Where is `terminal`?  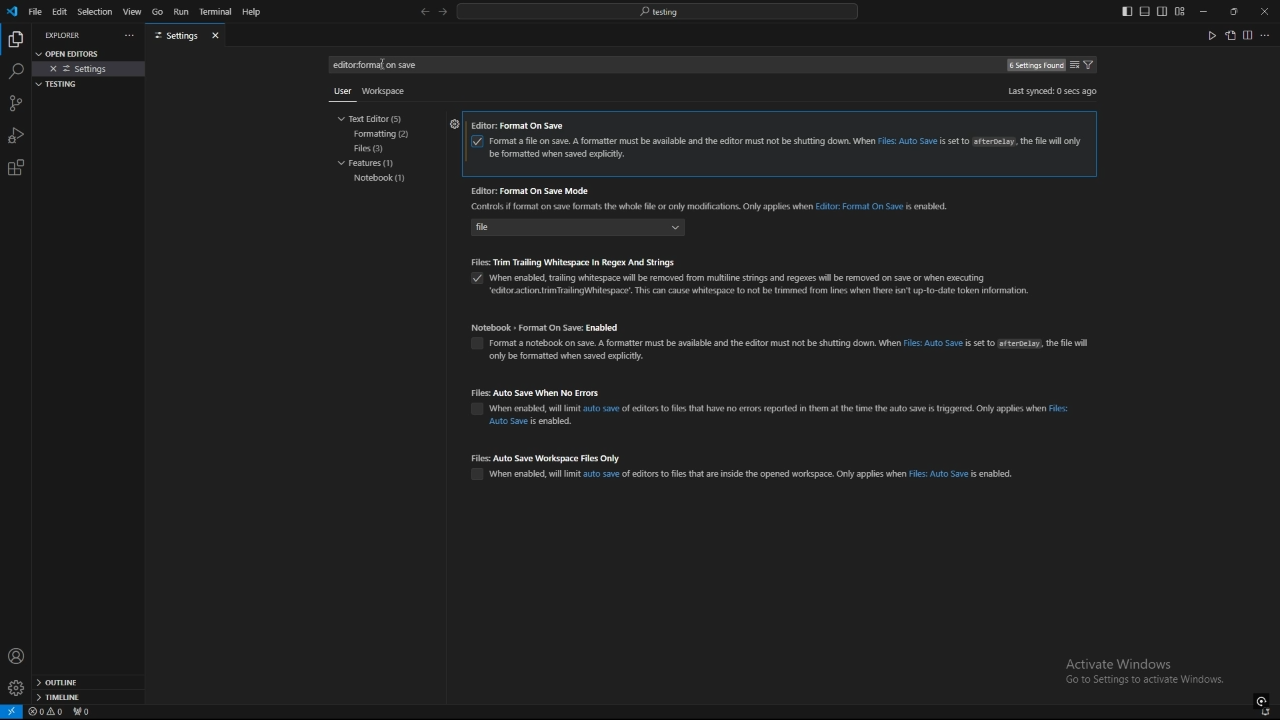 terminal is located at coordinates (216, 13).